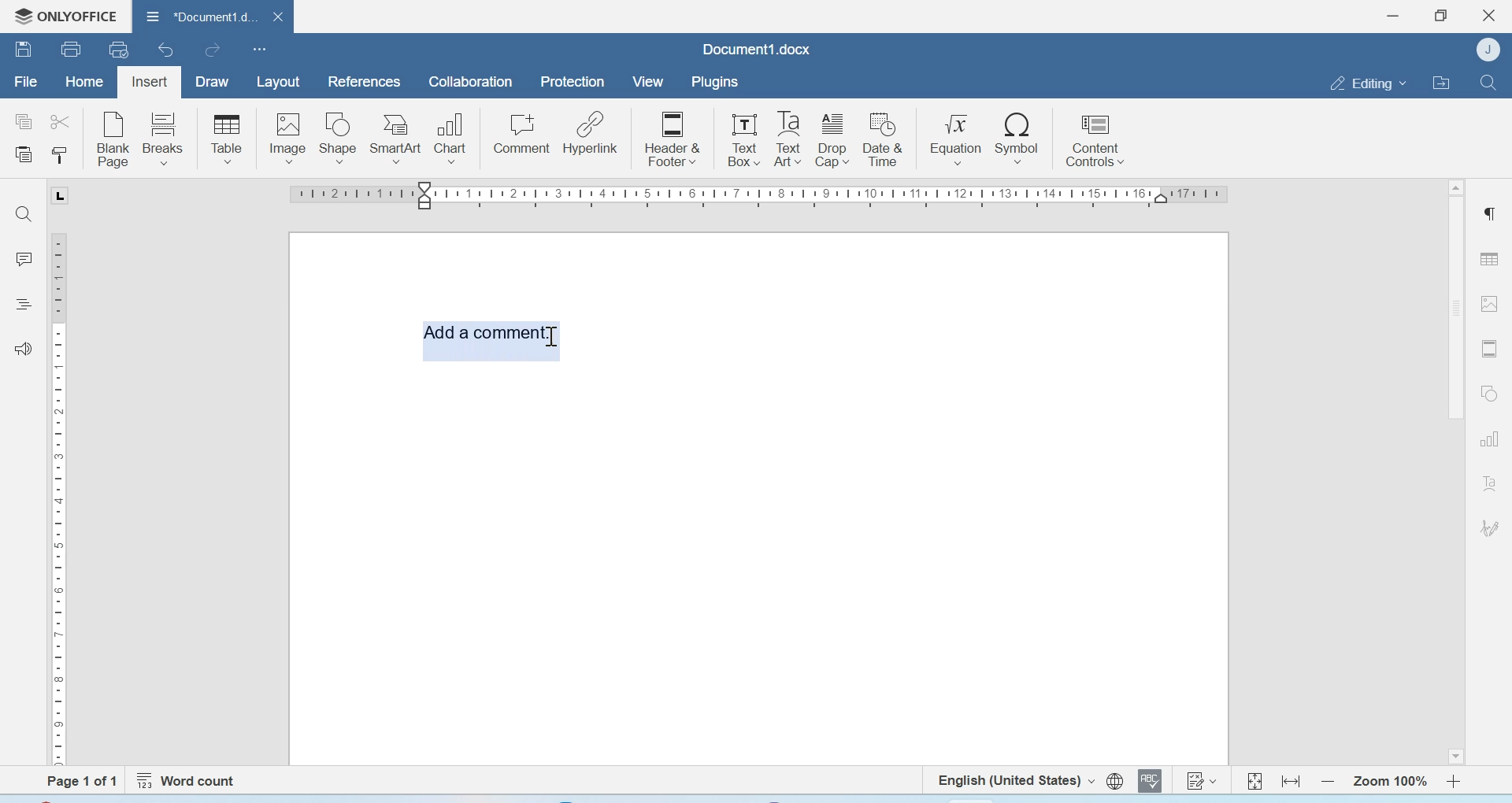  What do you see at coordinates (287, 138) in the screenshot?
I see `Image` at bounding box center [287, 138].